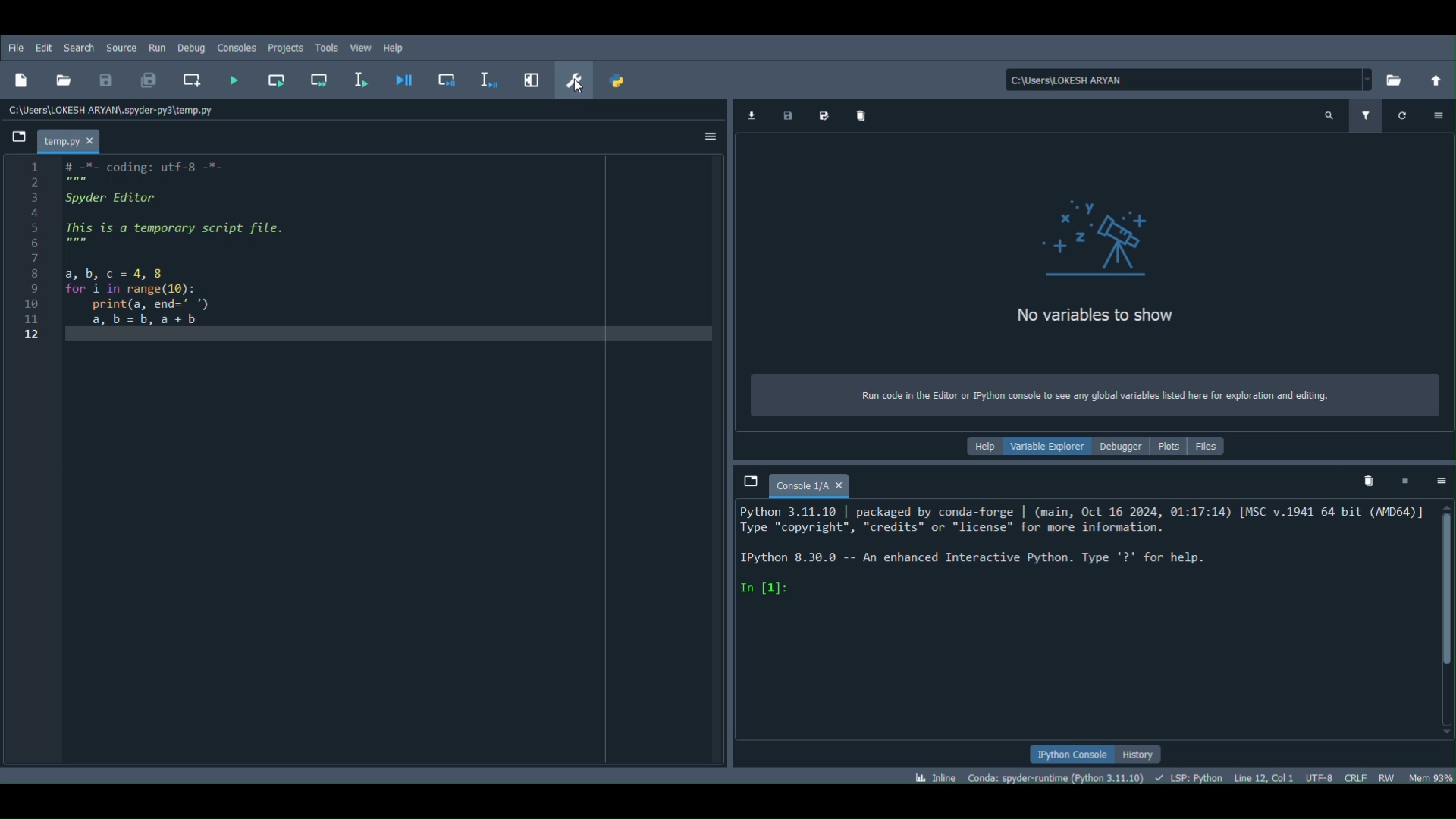 The height and width of the screenshot is (819, 1456). I want to click on Refresh variables, so click(1401, 113).